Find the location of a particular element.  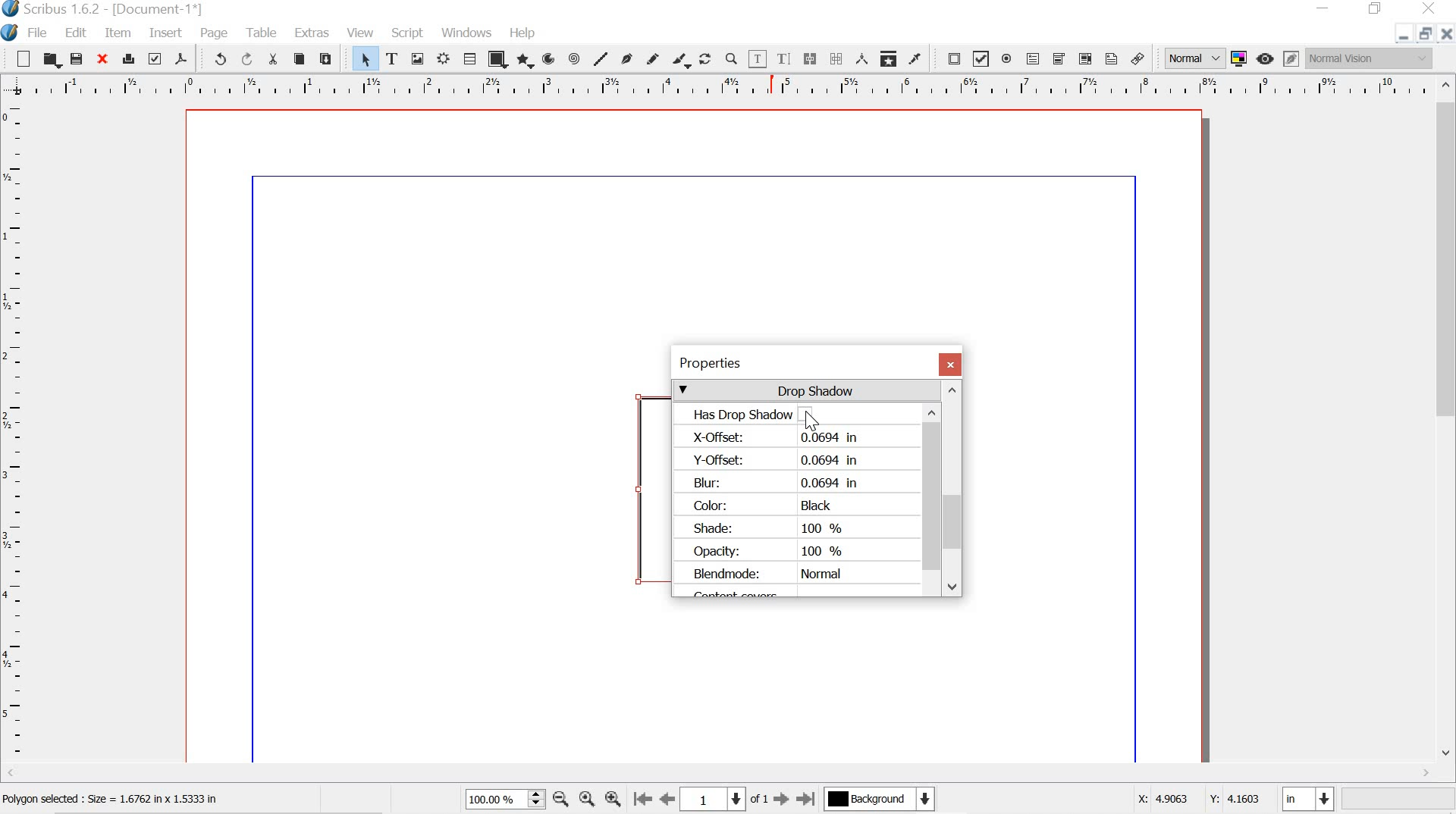

redo is located at coordinates (246, 58).